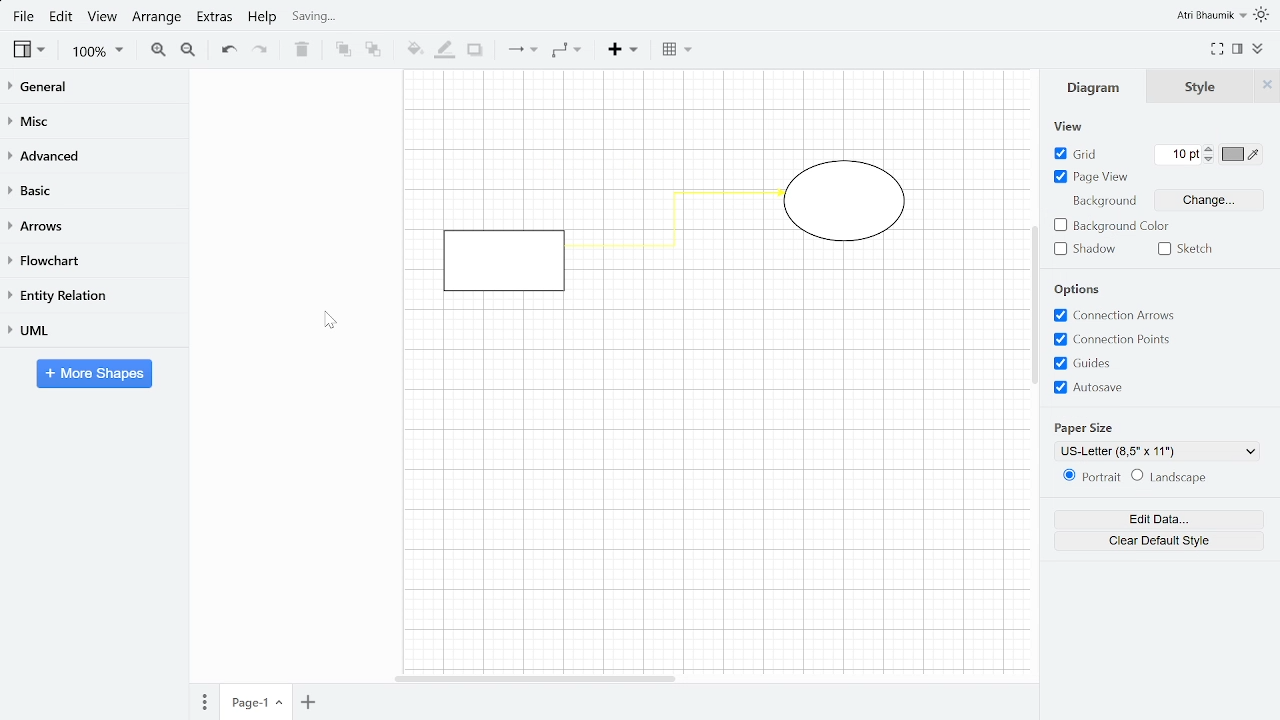  I want to click on Fullscreen, so click(1218, 49).